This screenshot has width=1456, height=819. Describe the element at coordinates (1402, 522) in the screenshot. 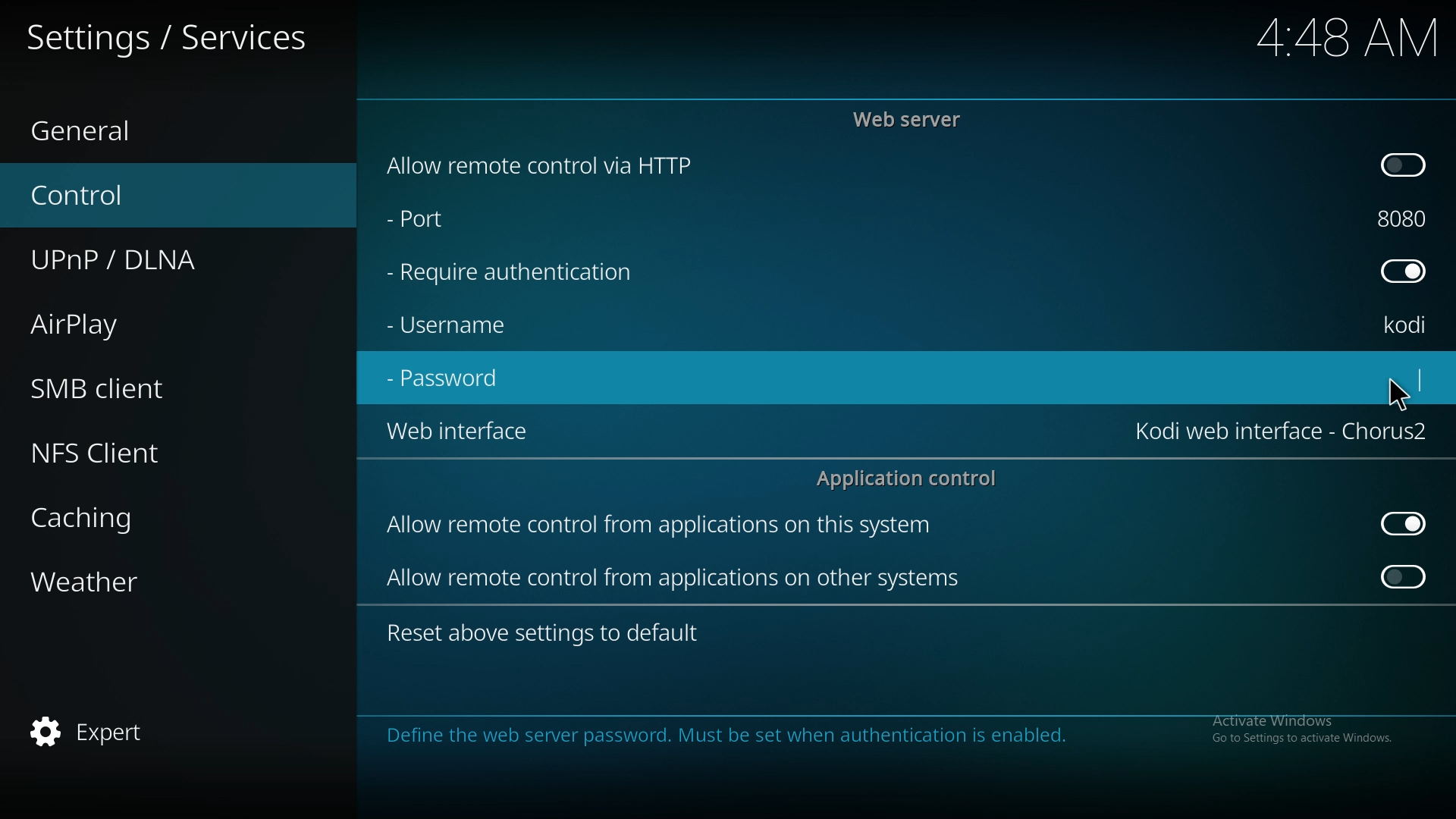

I see `off` at that location.